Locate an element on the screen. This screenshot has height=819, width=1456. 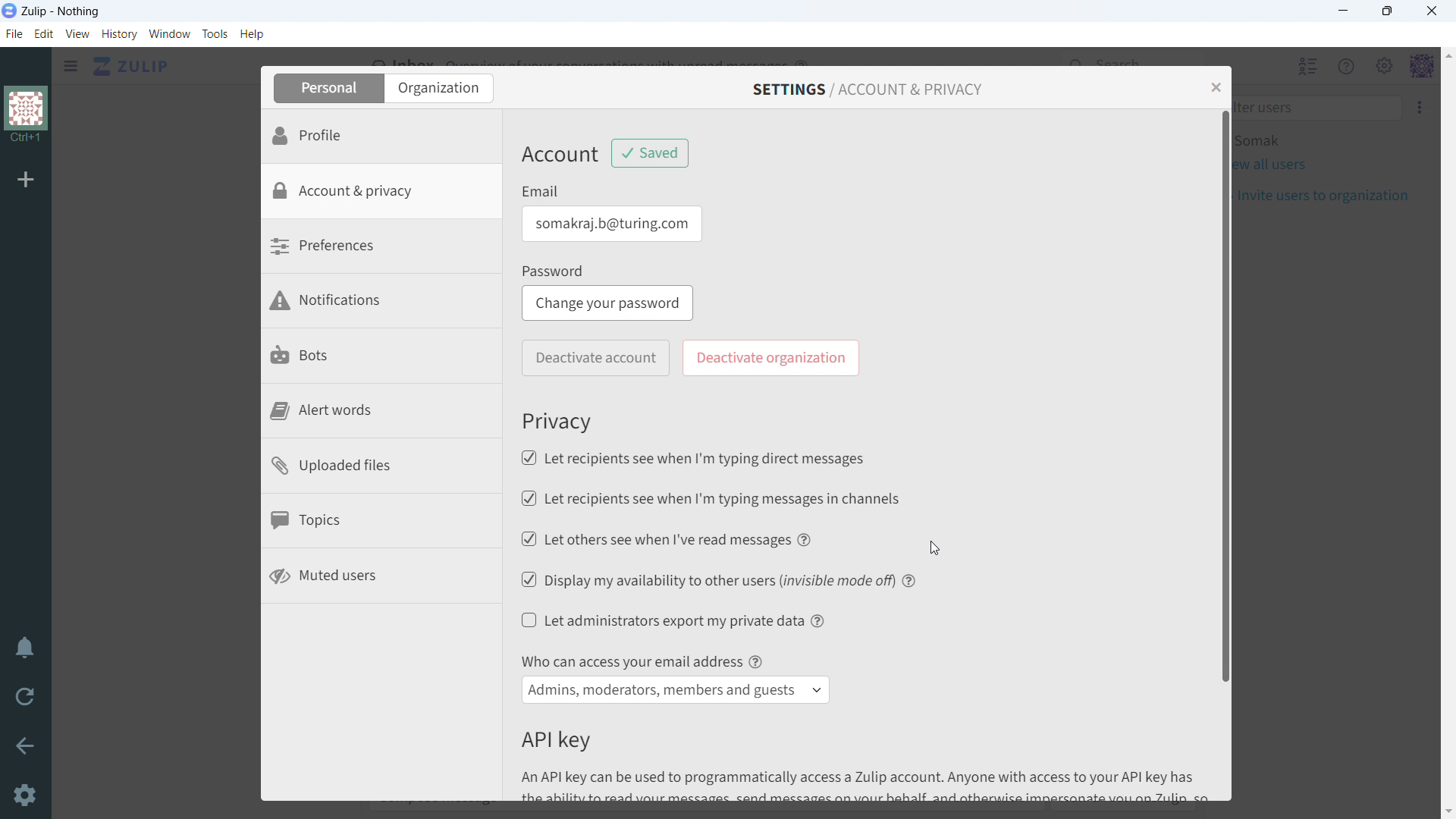
click to go home view (inbox) is located at coordinates (132, 65).